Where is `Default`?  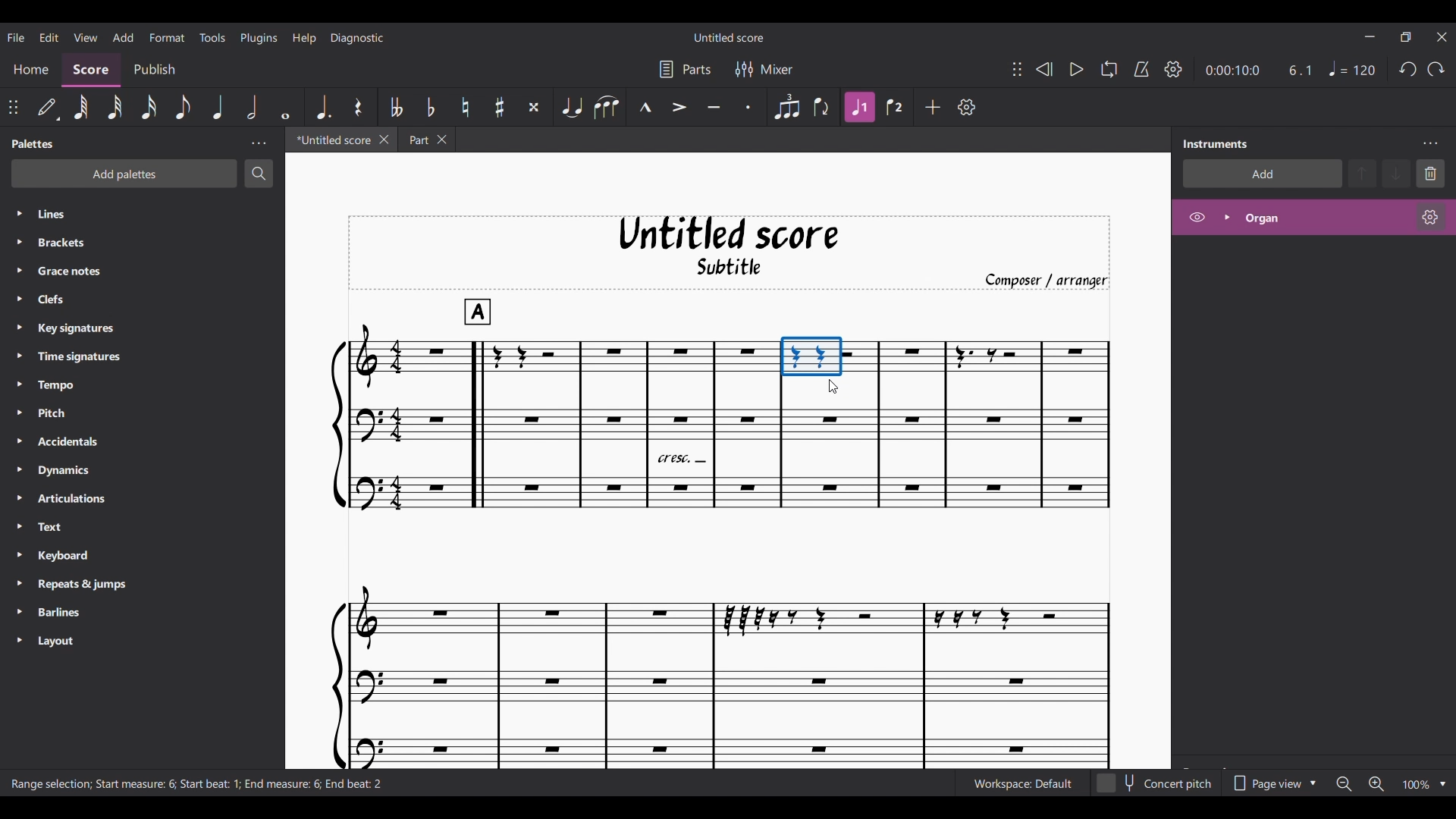
Default is located at coordinates (47, 106).